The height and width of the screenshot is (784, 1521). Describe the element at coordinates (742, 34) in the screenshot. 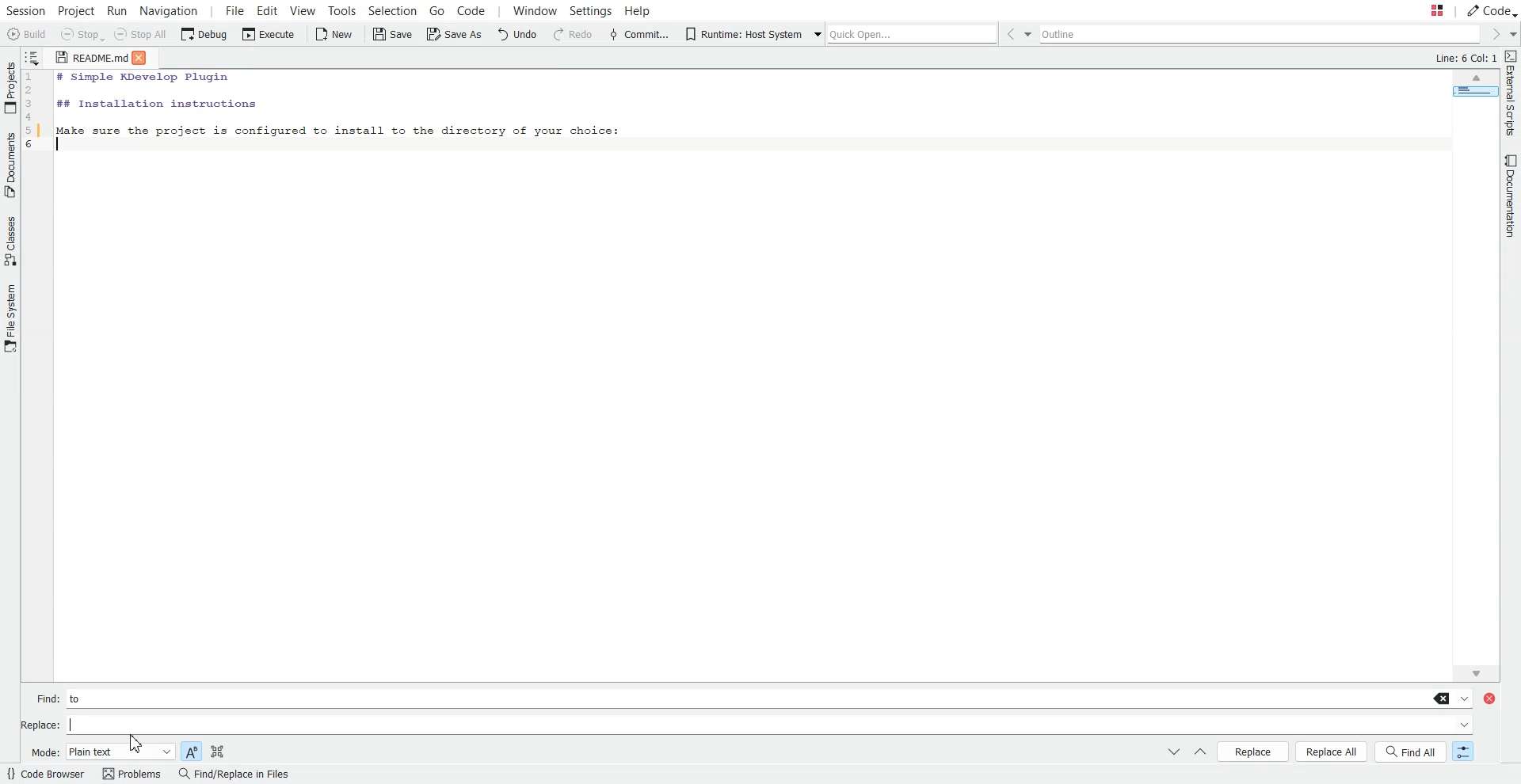

I see `Runtime: Host System` at that location.